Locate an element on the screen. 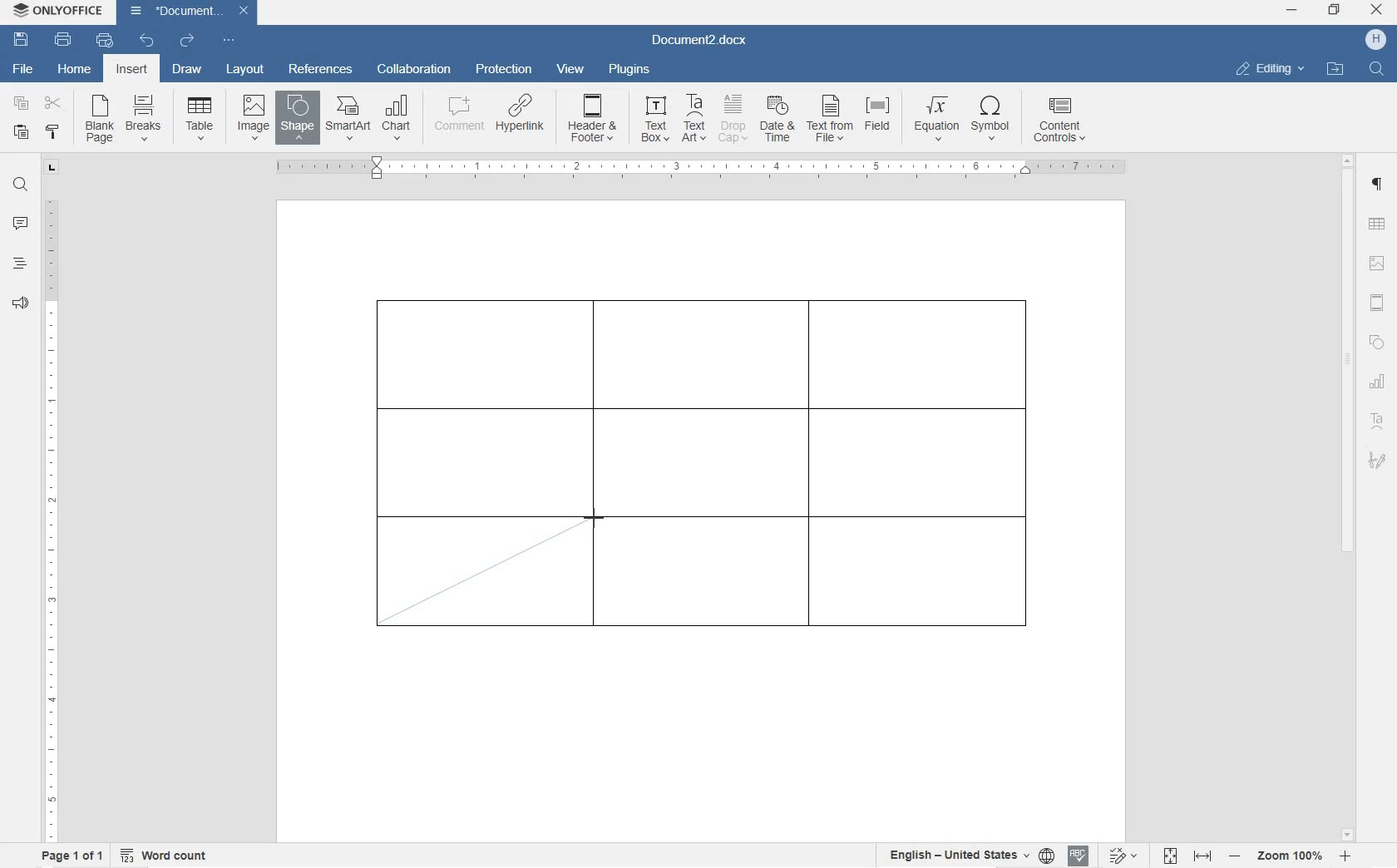 Image resolution: width=1397 pixels, height=868 pixels. TEXT FROM FILE is located at coordinates (832, 121).